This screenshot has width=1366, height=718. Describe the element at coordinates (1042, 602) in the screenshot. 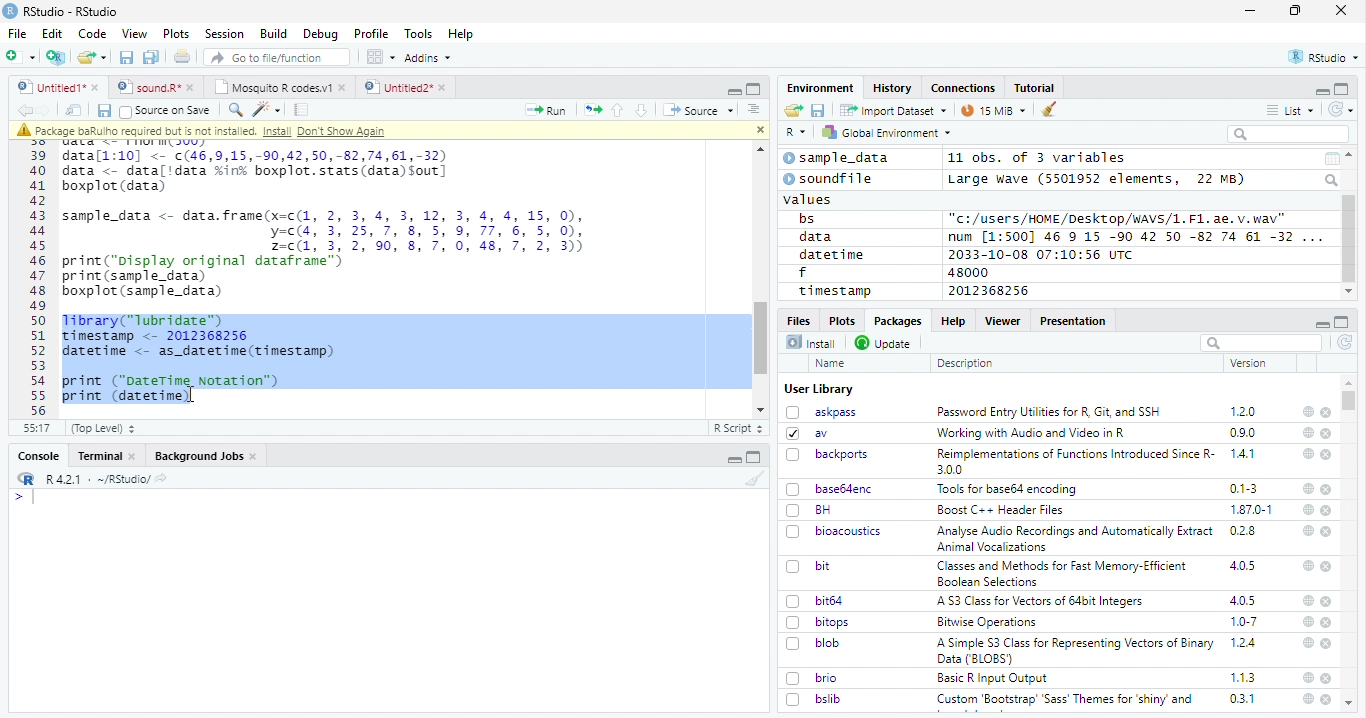

I see `A S3 Class for Vectors of 64bit Integers` at that location.